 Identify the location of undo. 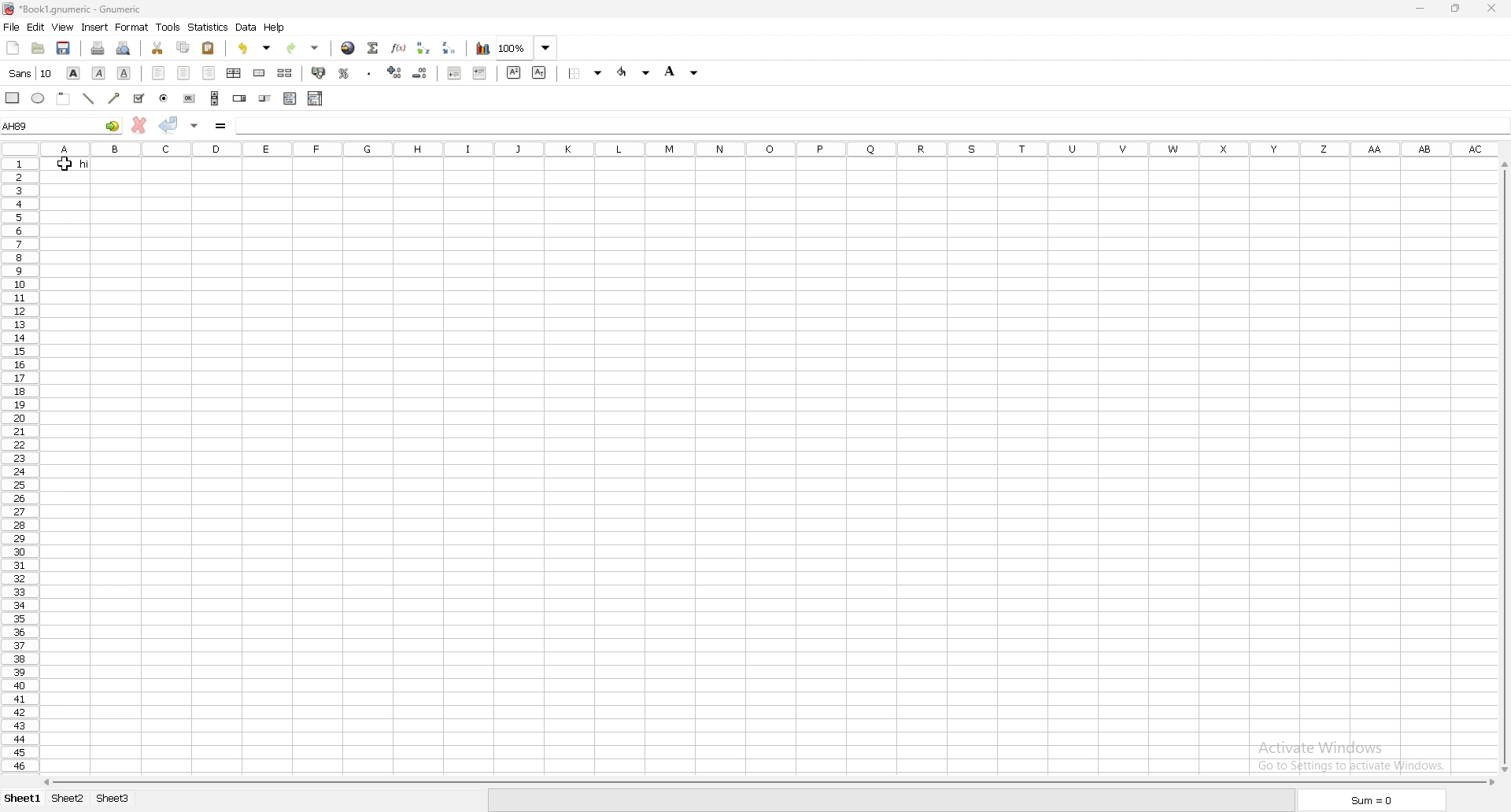
(254, 48).